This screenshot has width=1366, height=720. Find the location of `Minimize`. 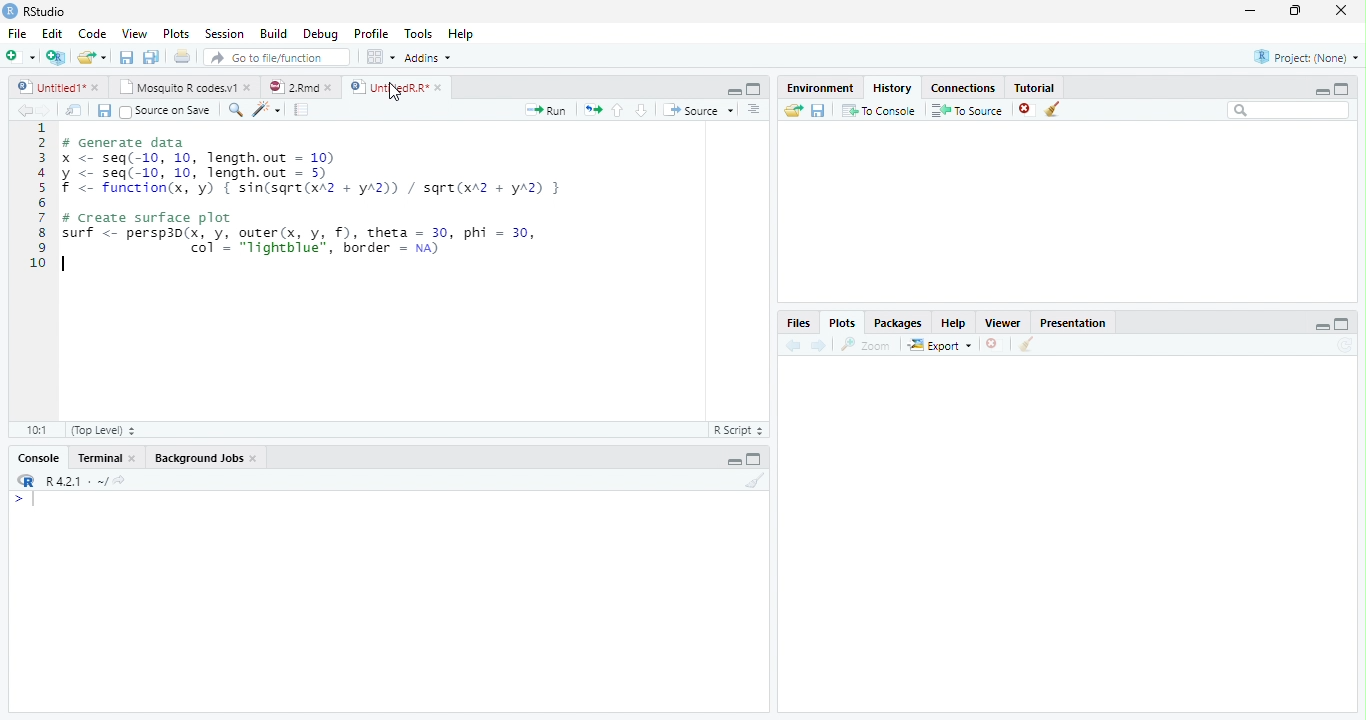

Minimize is located at coordinates (734, 461).